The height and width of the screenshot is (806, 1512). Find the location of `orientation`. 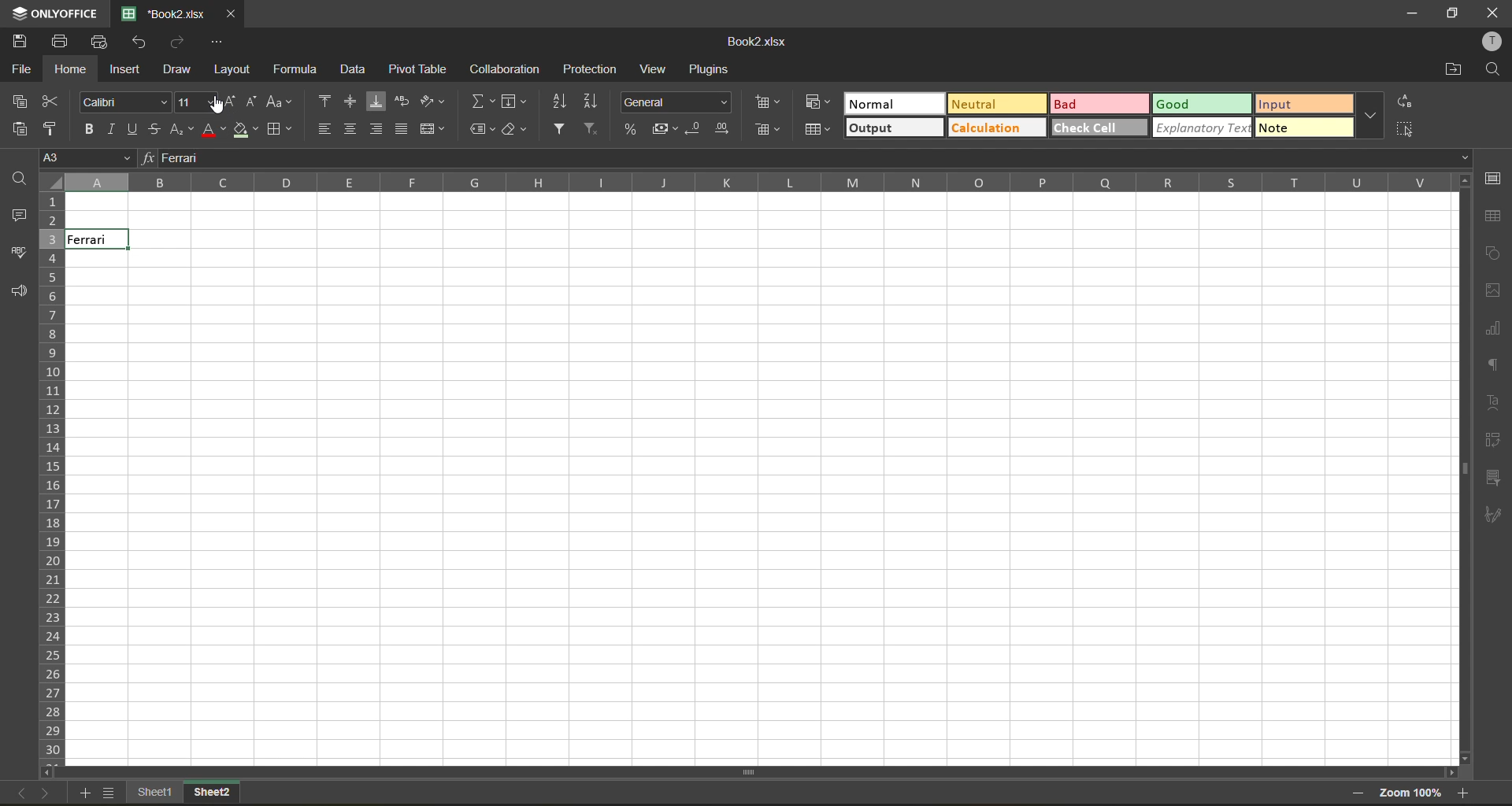

orientation is located at coordinates (431, 100).